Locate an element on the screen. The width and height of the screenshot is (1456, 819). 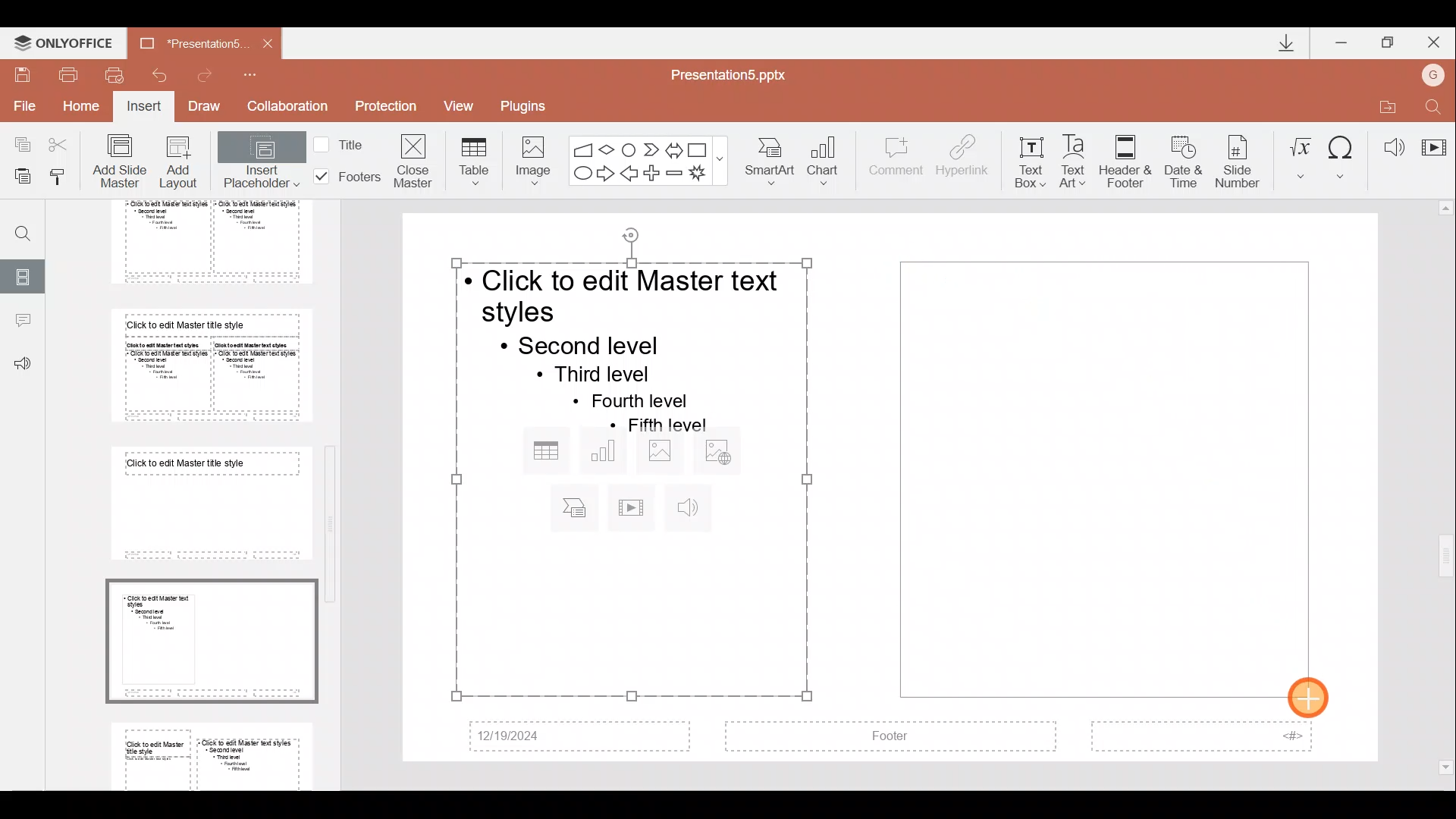
Copy is located at coordinates (17, 144).